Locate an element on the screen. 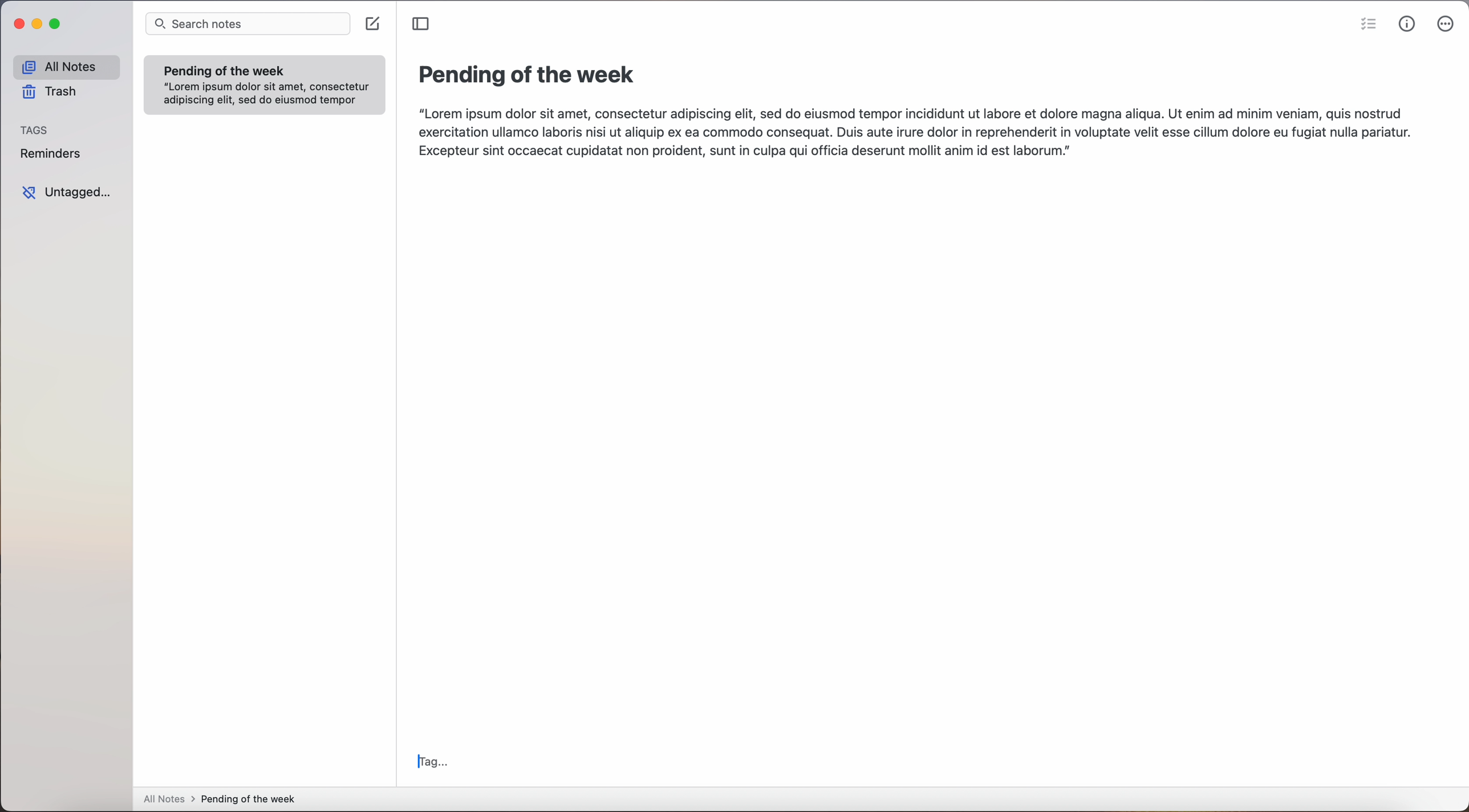  tag is located at coordinates (435, 763).